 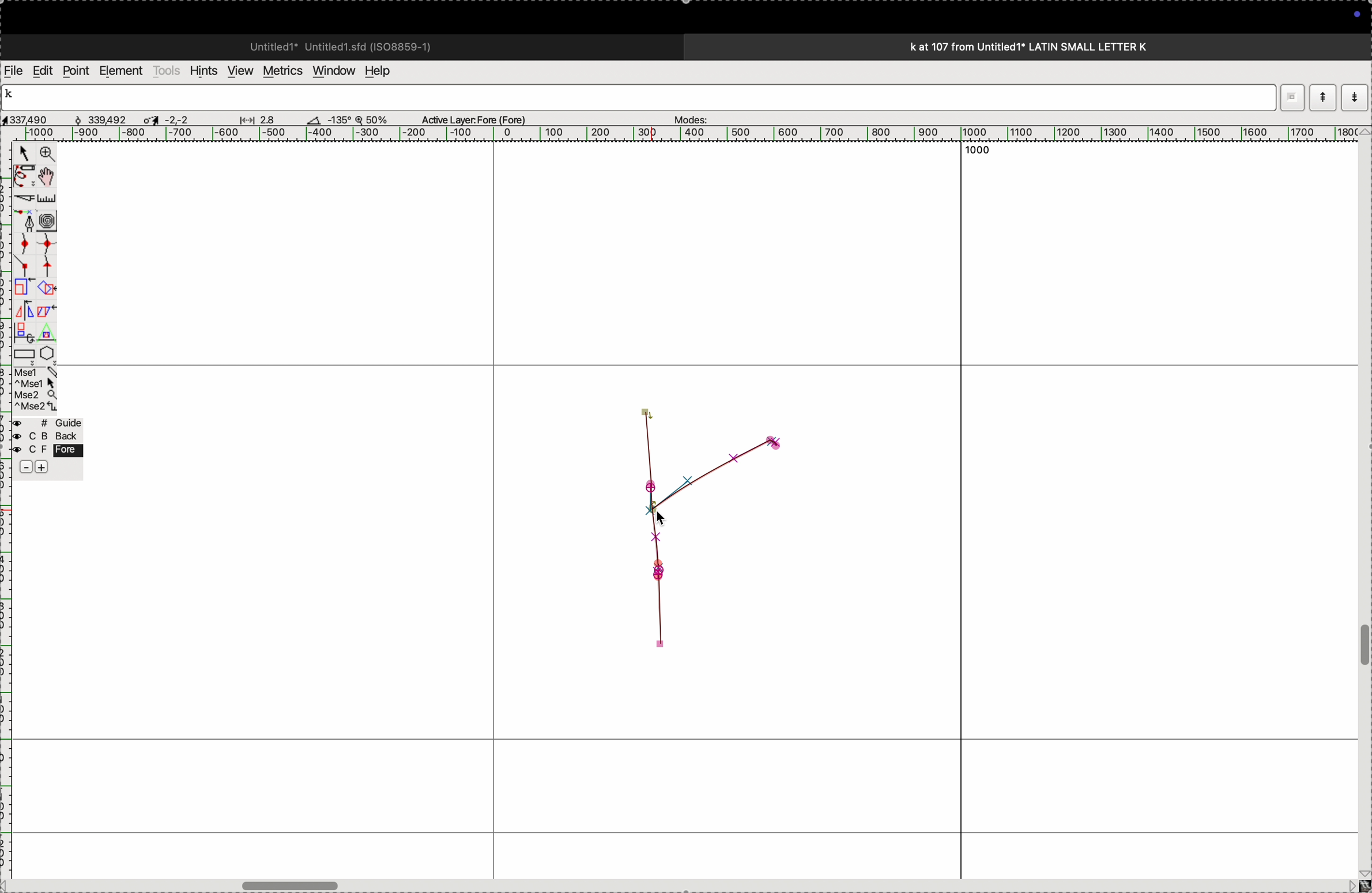 What do you see at coordinates (14, 96) in the screenshot?
I see `K` at bounding box center [14, 96].